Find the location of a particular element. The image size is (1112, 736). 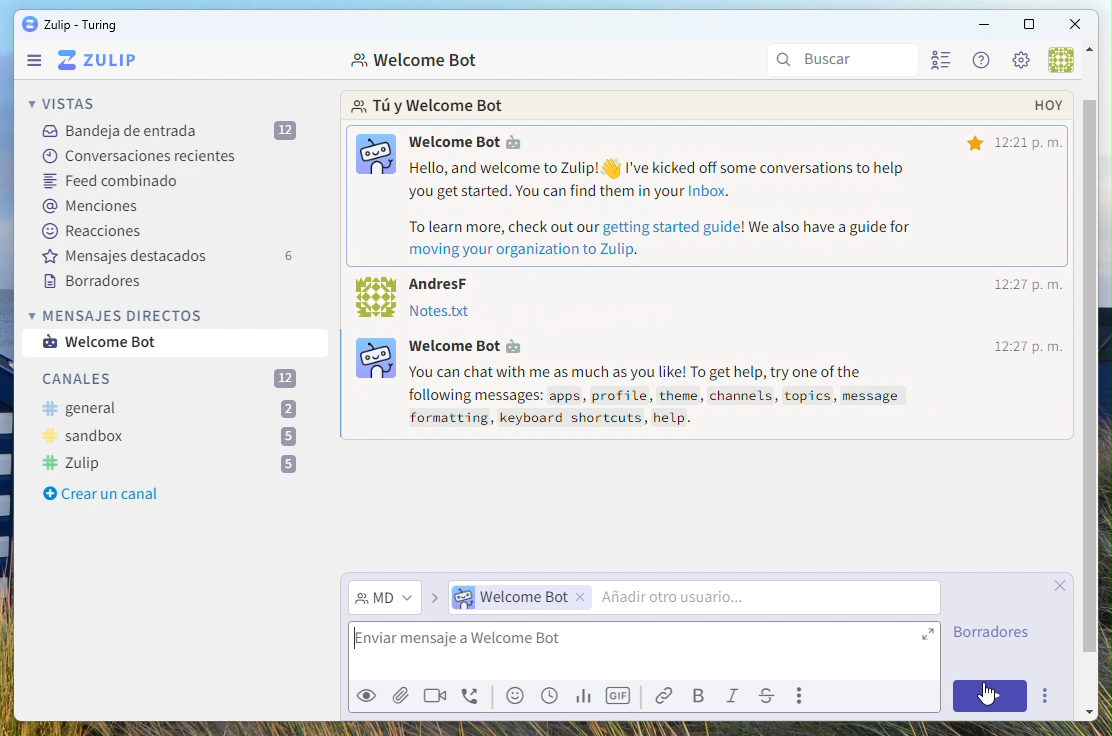

time is located at coordinates (1014, 289).